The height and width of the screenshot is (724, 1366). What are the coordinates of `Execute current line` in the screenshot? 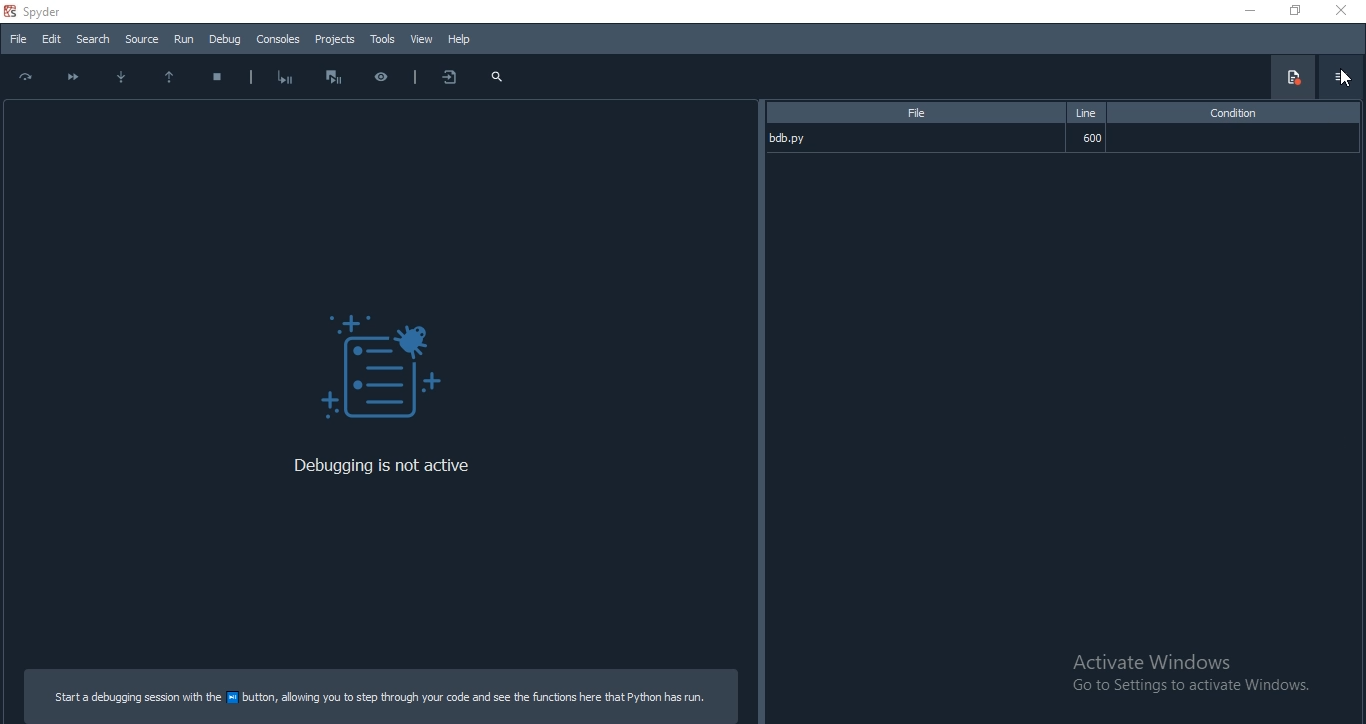 It's located at (25, 77).